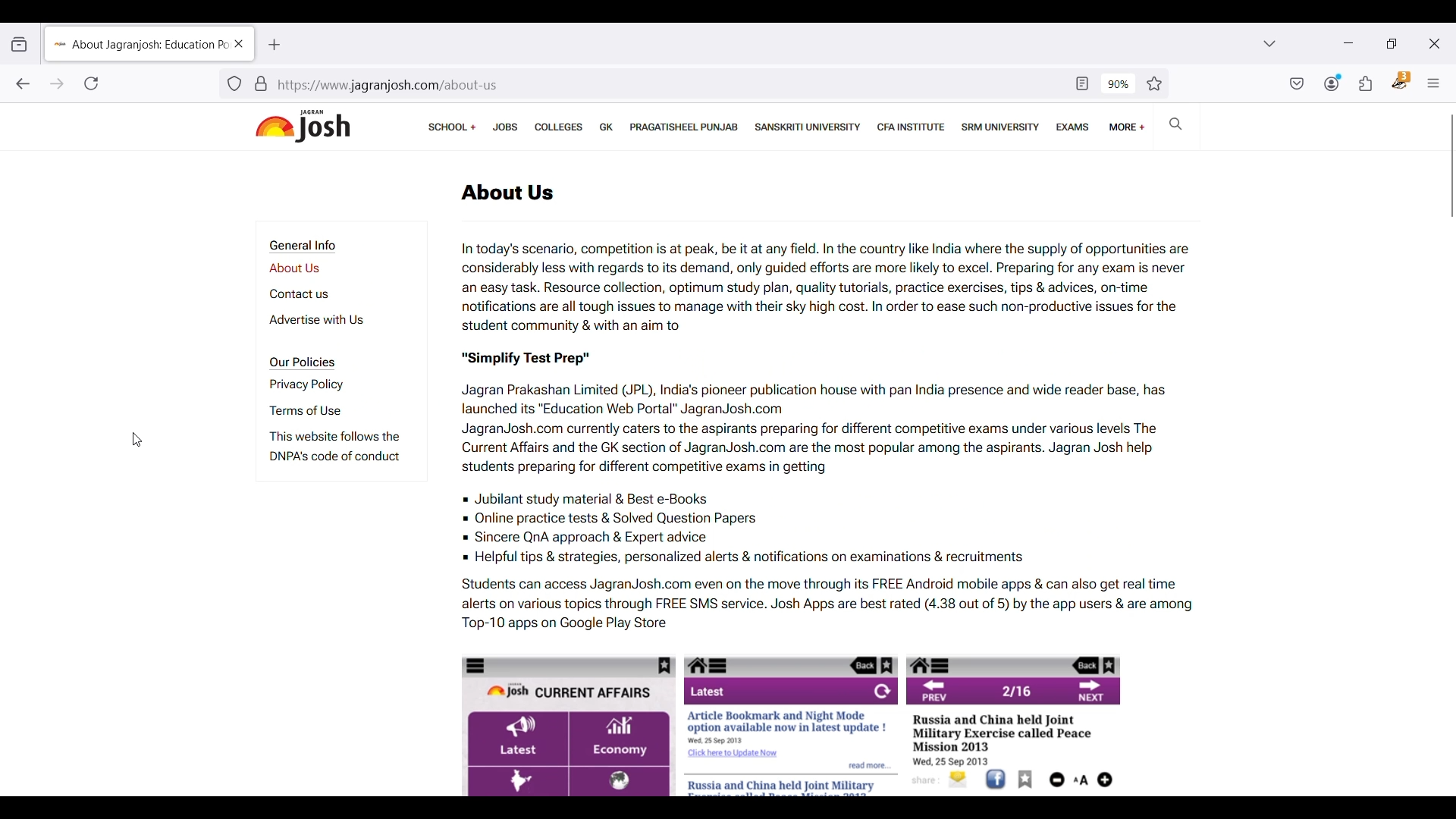  I want to click on CFA institute page, so click(913, 127).